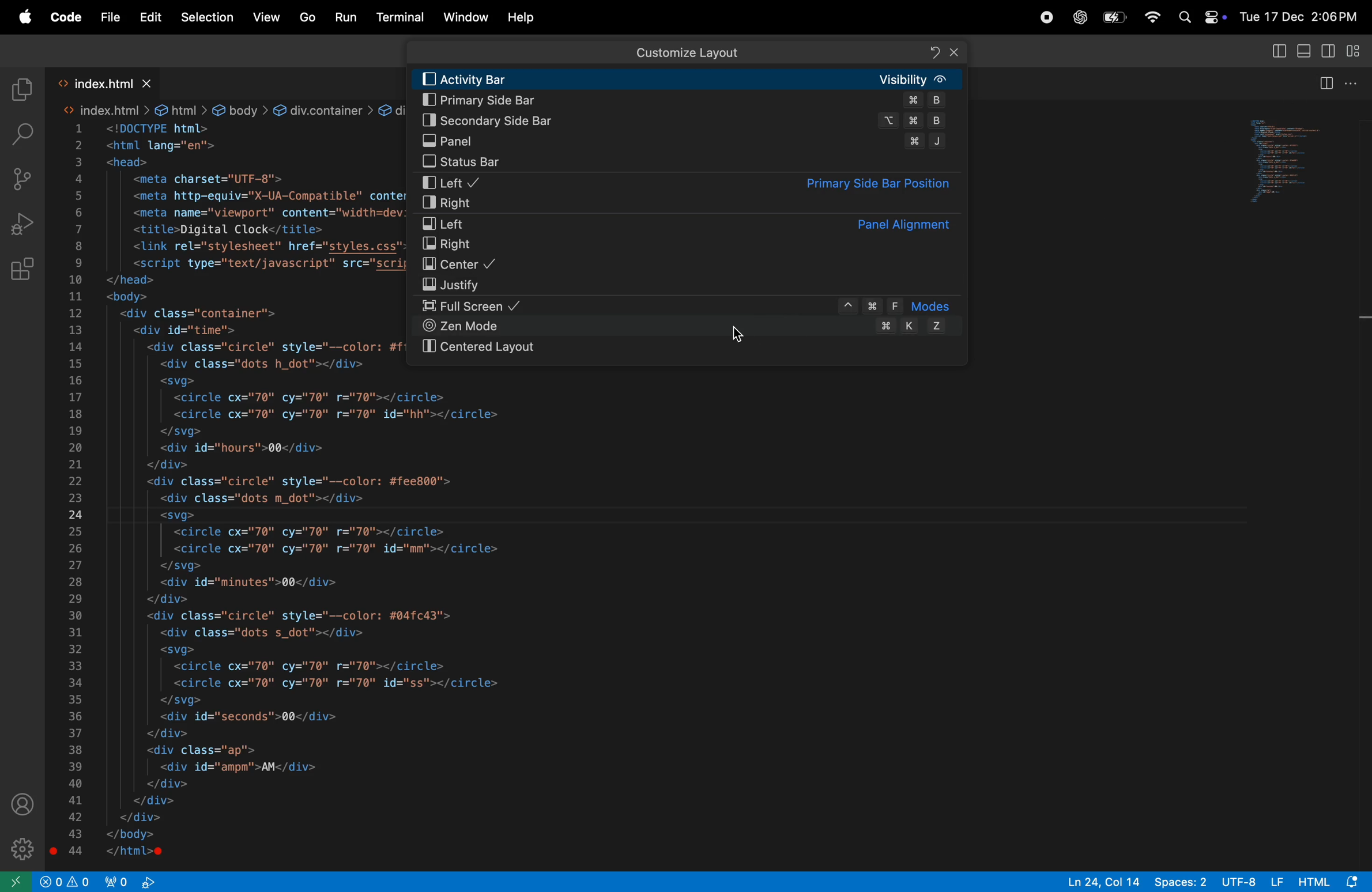  What do you see at coordinates (688, 245) in the screenshot?
I see `right` at bounding box center [688, 245].